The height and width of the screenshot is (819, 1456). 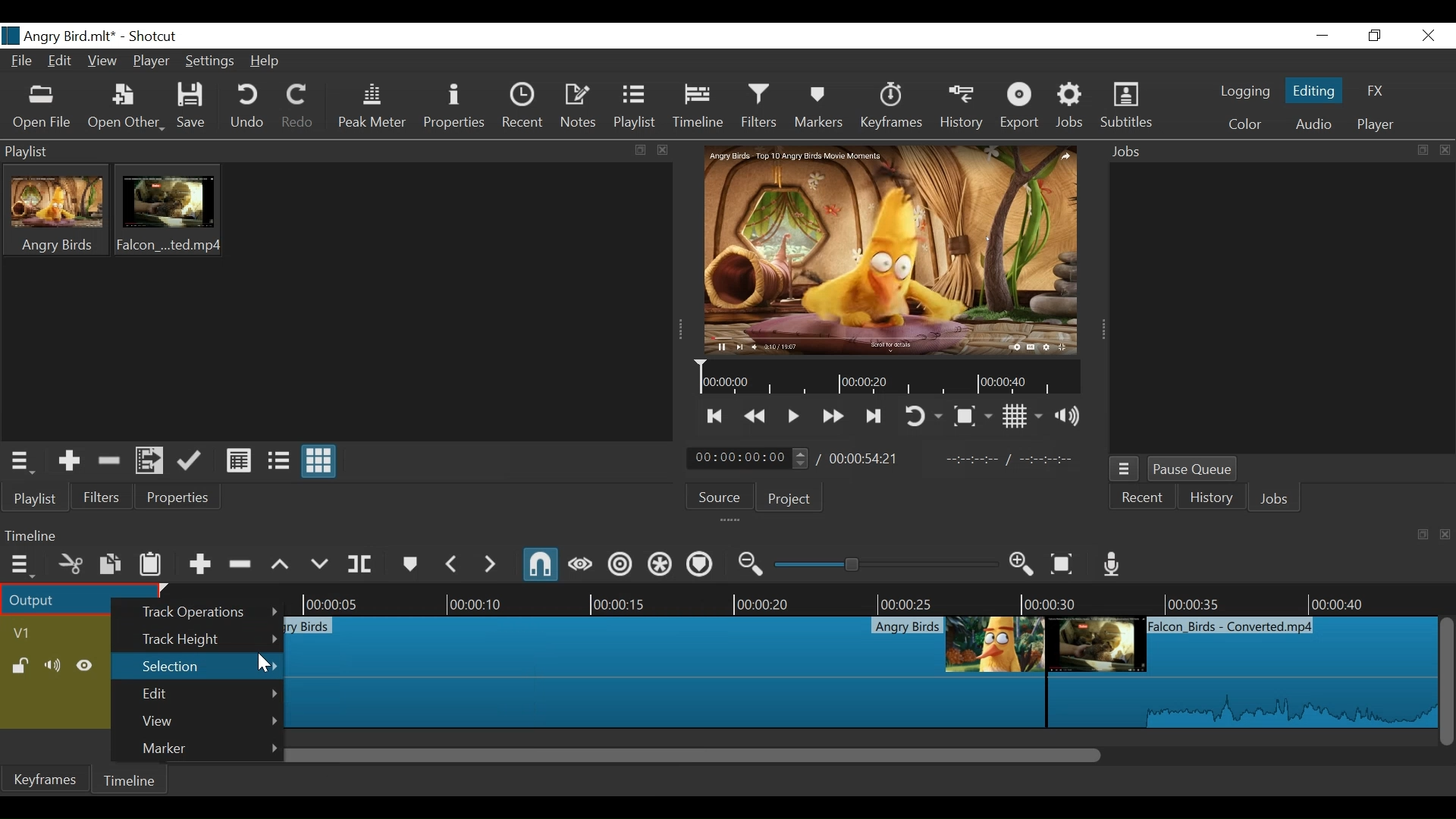 What do you see at coordinates (1020, 108) in the screenshot?
I see `Export` at bounding box center [1020, 108].